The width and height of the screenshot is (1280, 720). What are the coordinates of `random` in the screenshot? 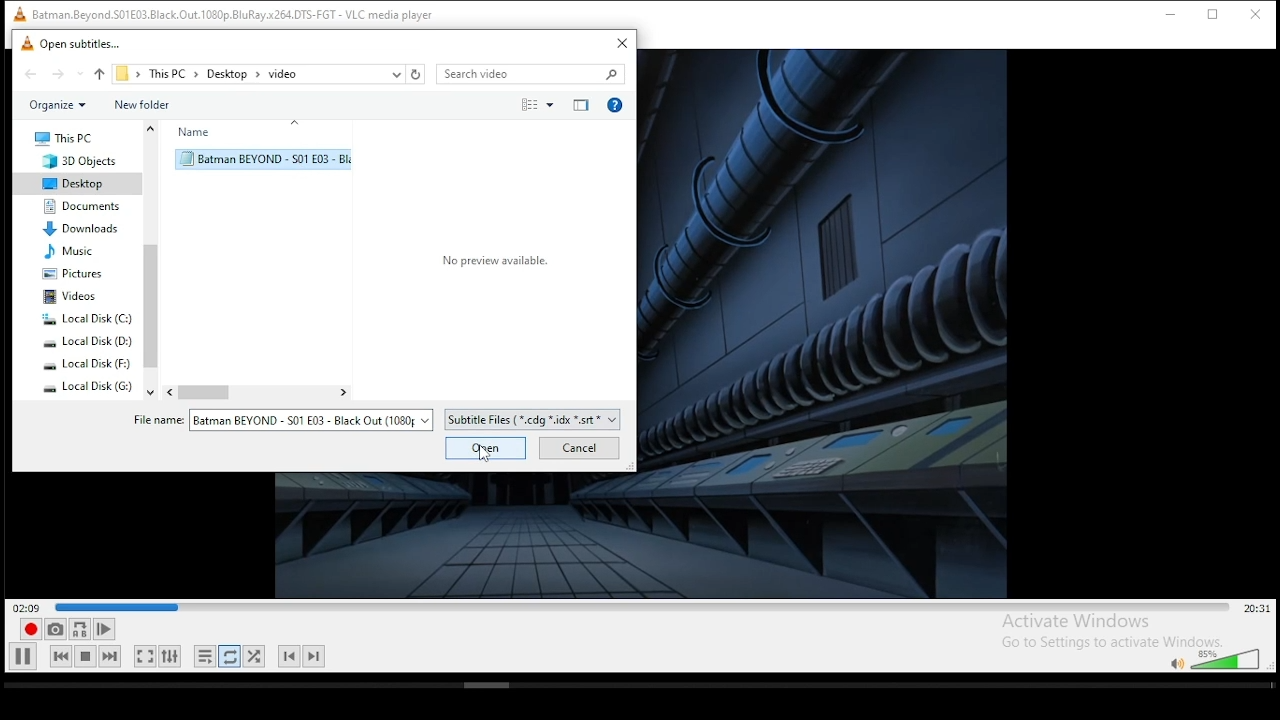 It's located at (254, 656).